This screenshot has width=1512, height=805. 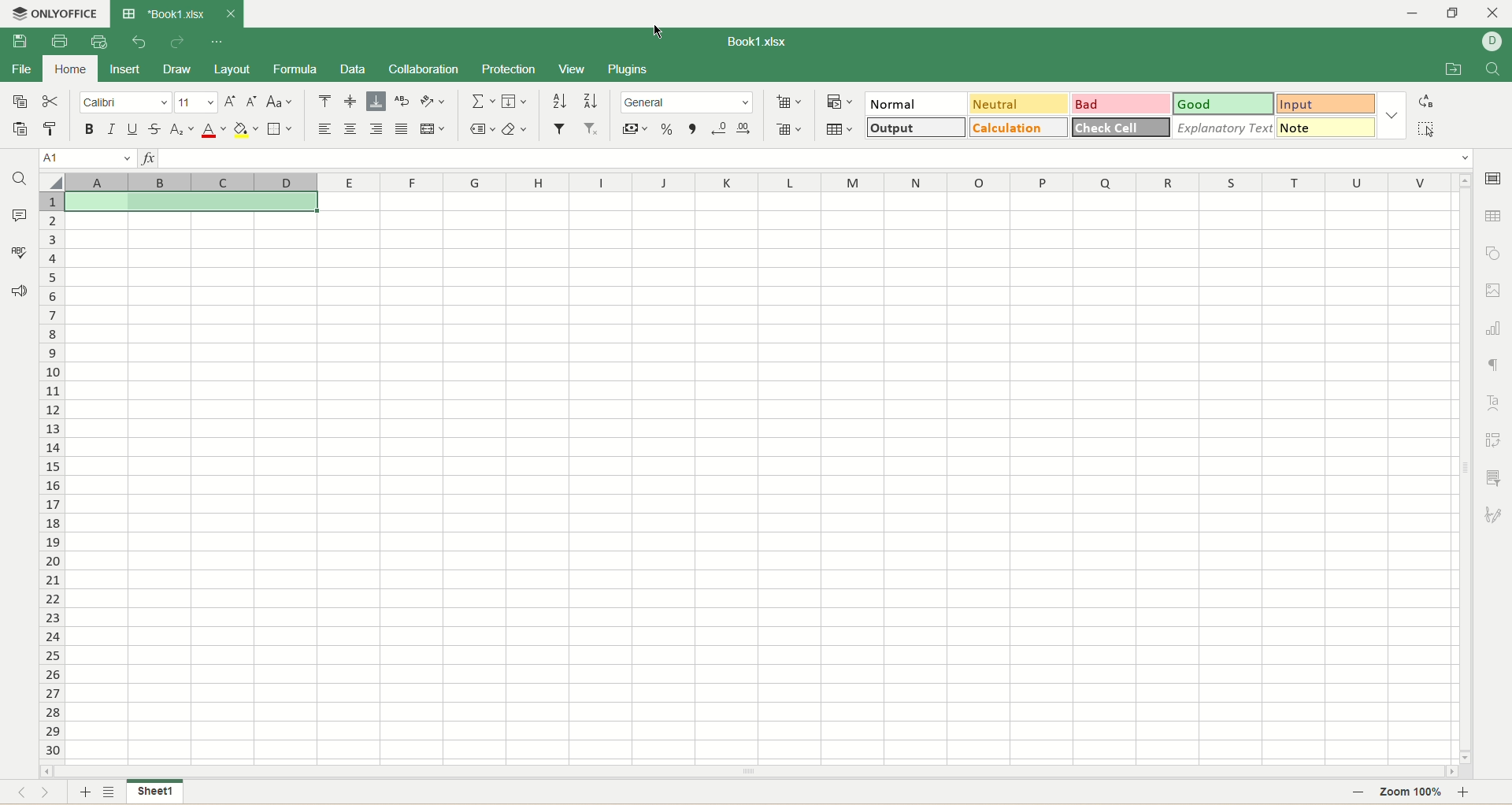 I want to click on check cell, so click(x=1122, y=128).